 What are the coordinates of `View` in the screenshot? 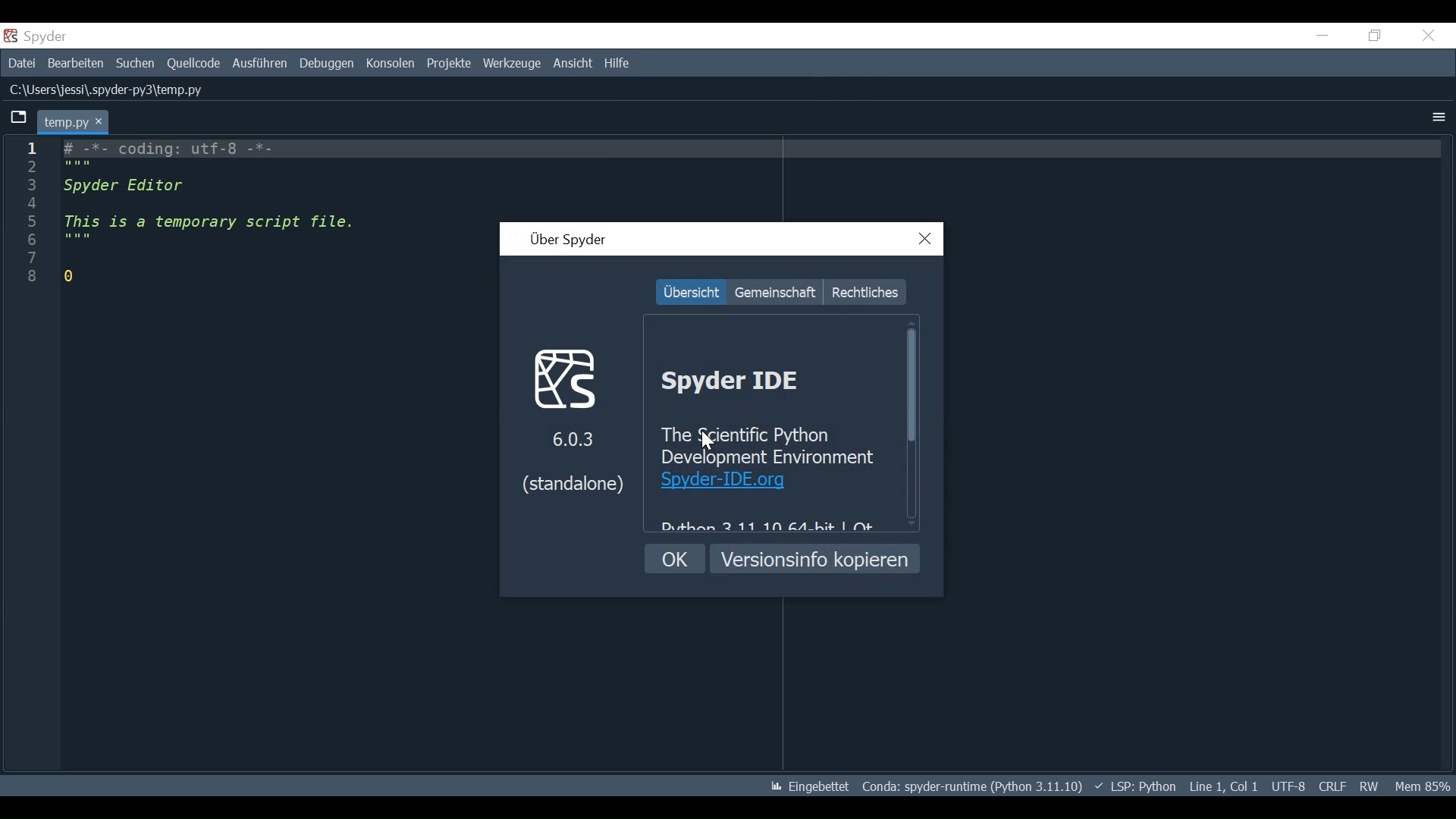 It's located at (572, 64).